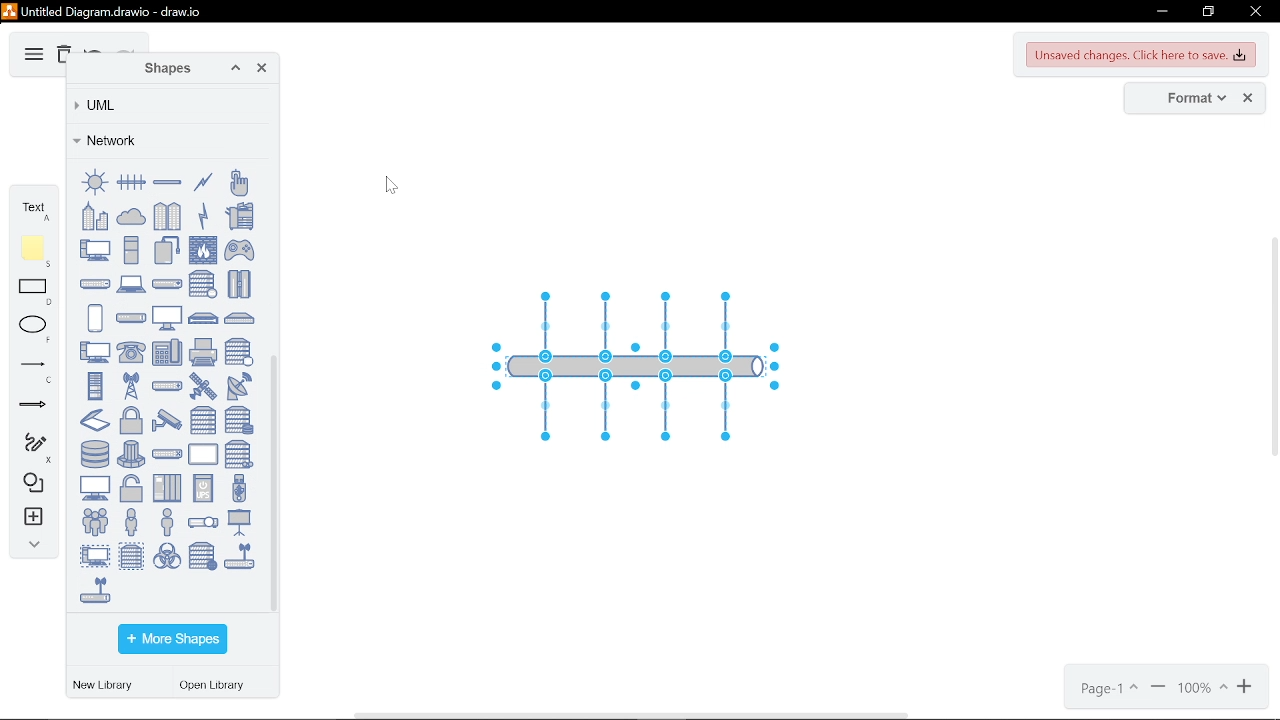 The height and width of the screenshot is (720, 1280). I want to click on unsecure, so click(131, 489).